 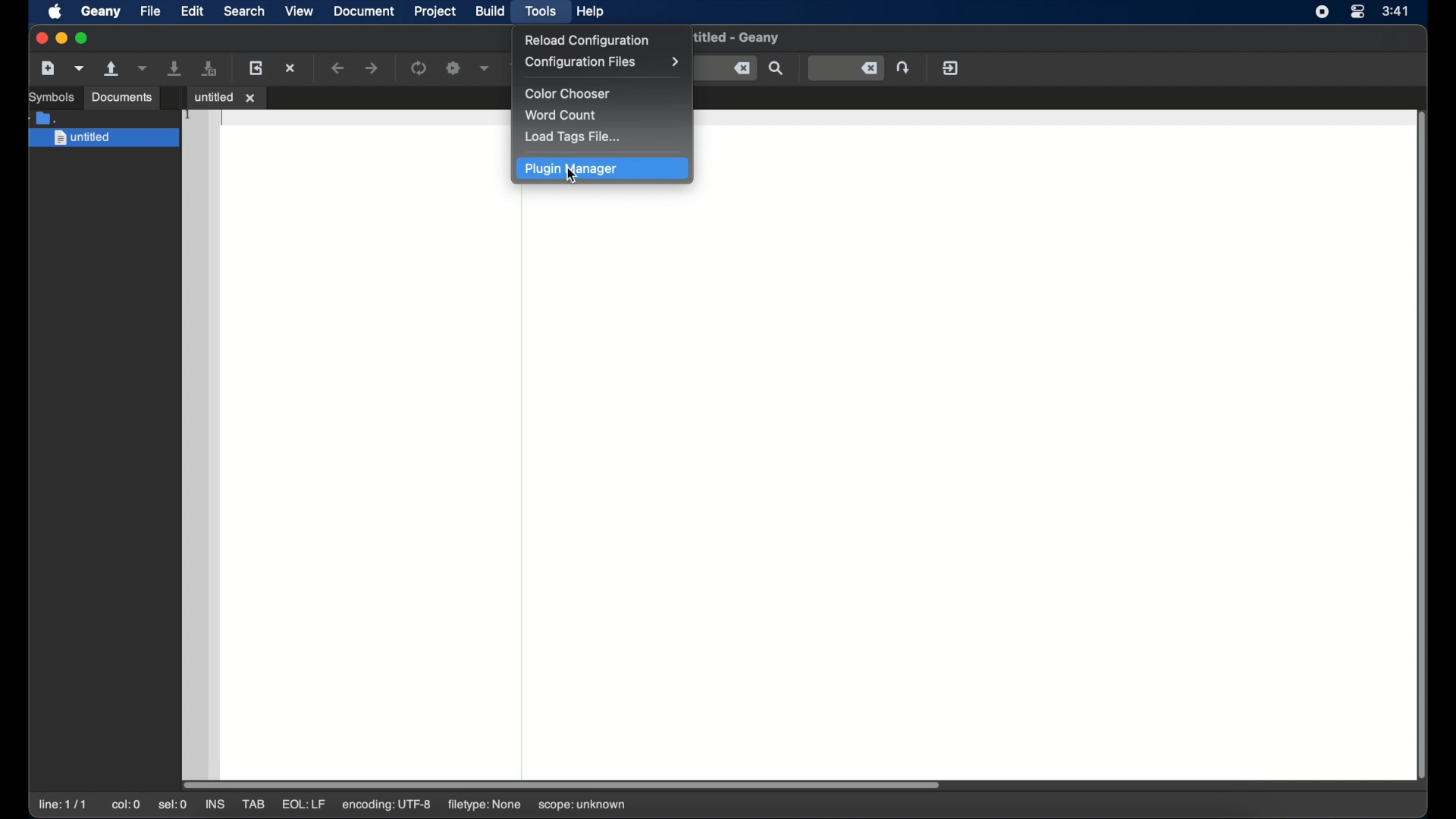 I want to click on document, so click(x=364, y=11).